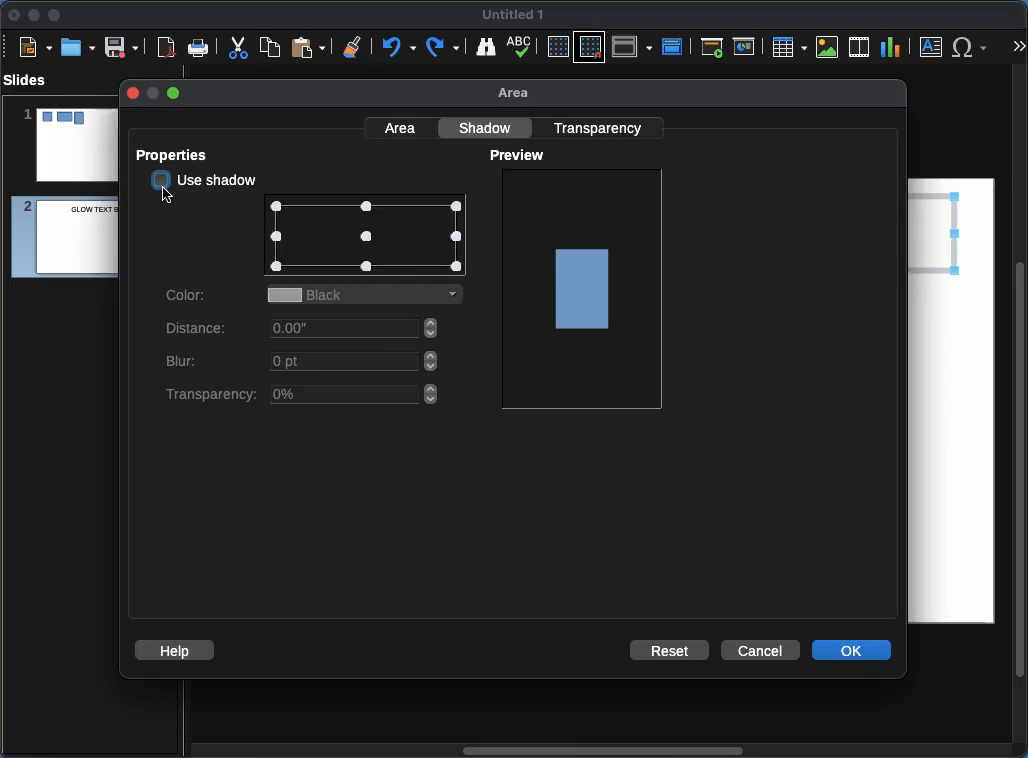 The width and height of the screenshot is (1028, 758). I want to click on OK, so click(853, 649).